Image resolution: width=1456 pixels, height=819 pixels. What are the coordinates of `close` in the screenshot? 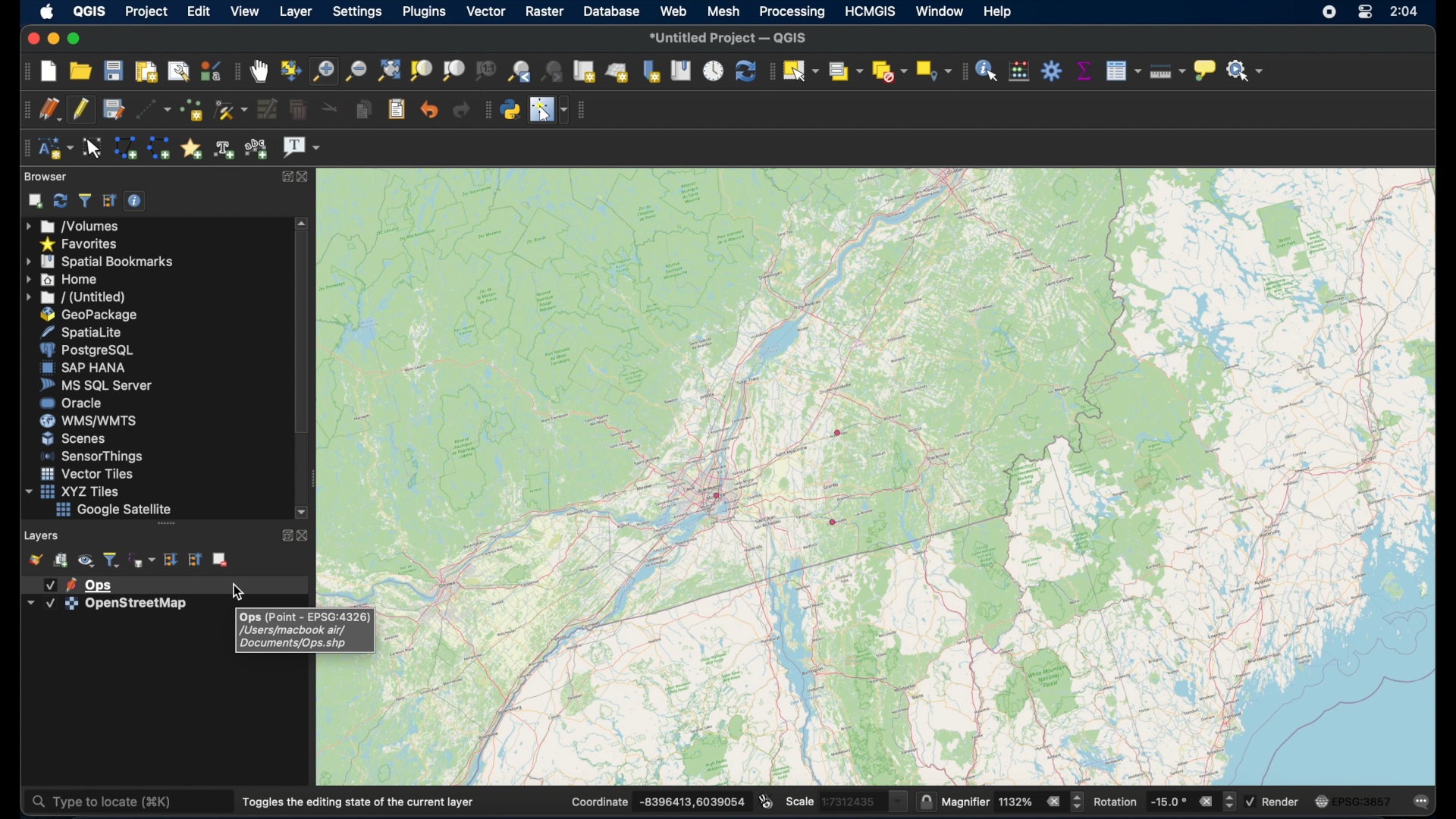 It's located at (30, 39).